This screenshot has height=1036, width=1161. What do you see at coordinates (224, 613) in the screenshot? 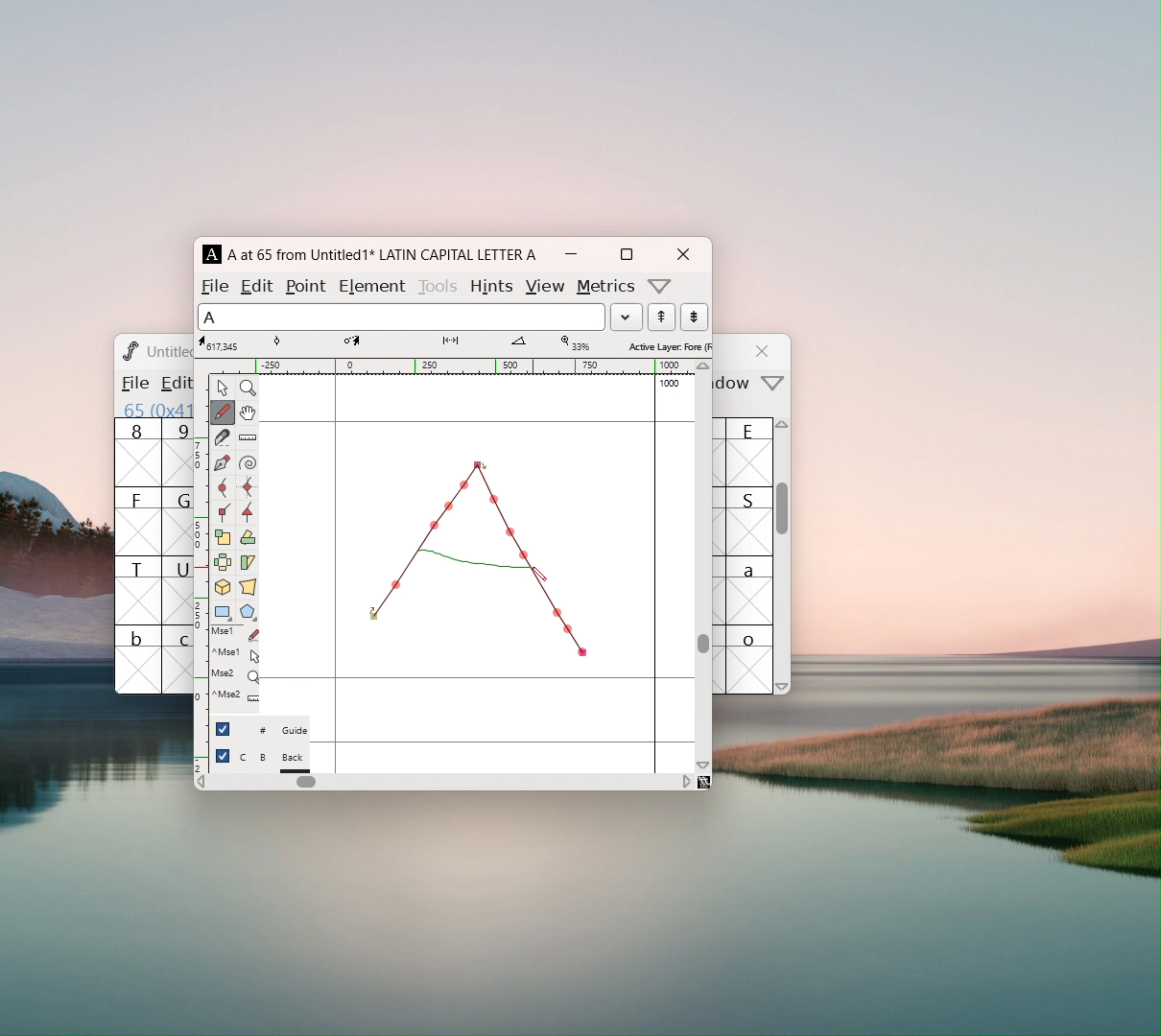
I see `rectangle or ellipse` at bounding box center [224, 613].